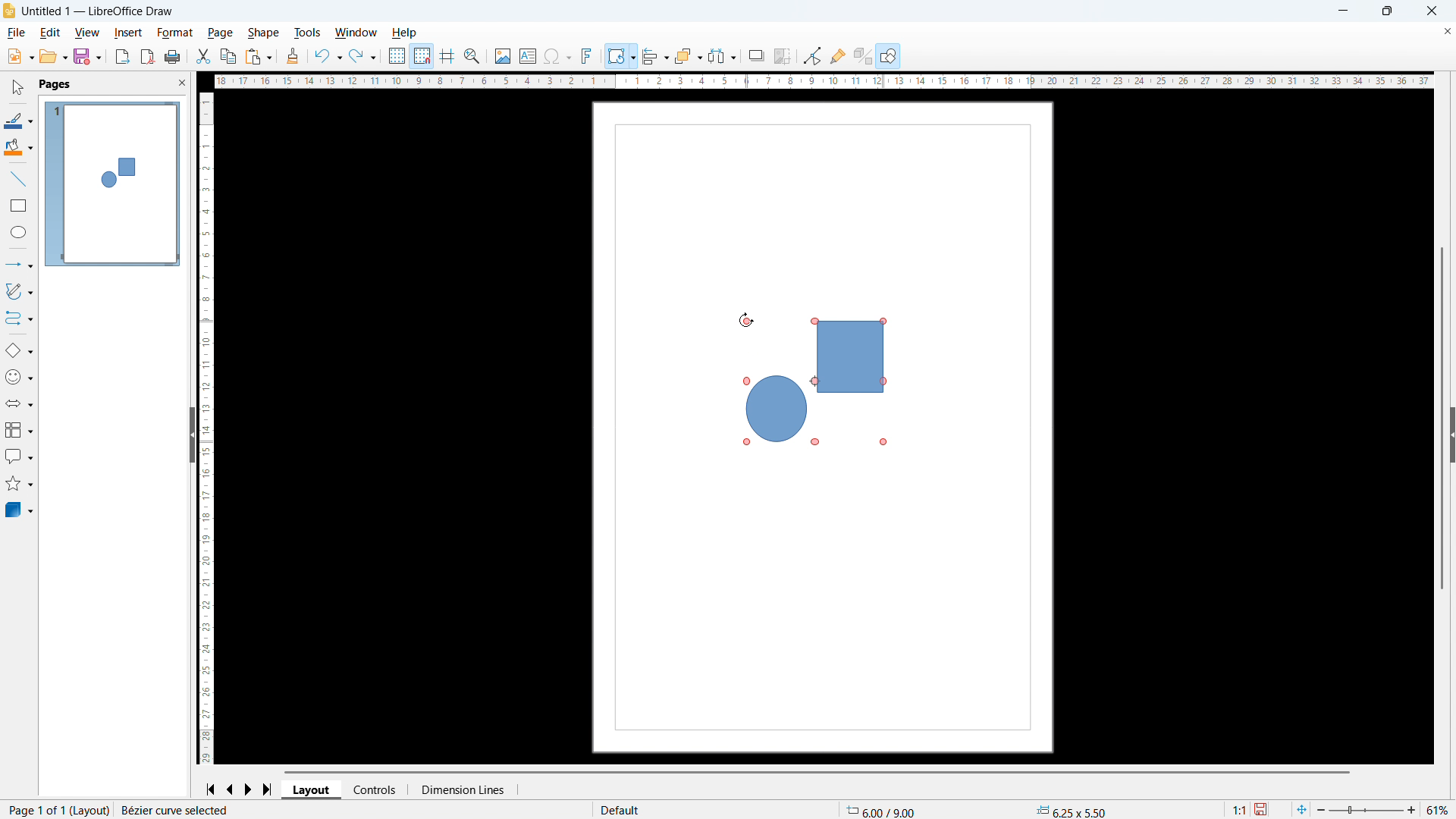  I want to click on help , so click(405, 33).